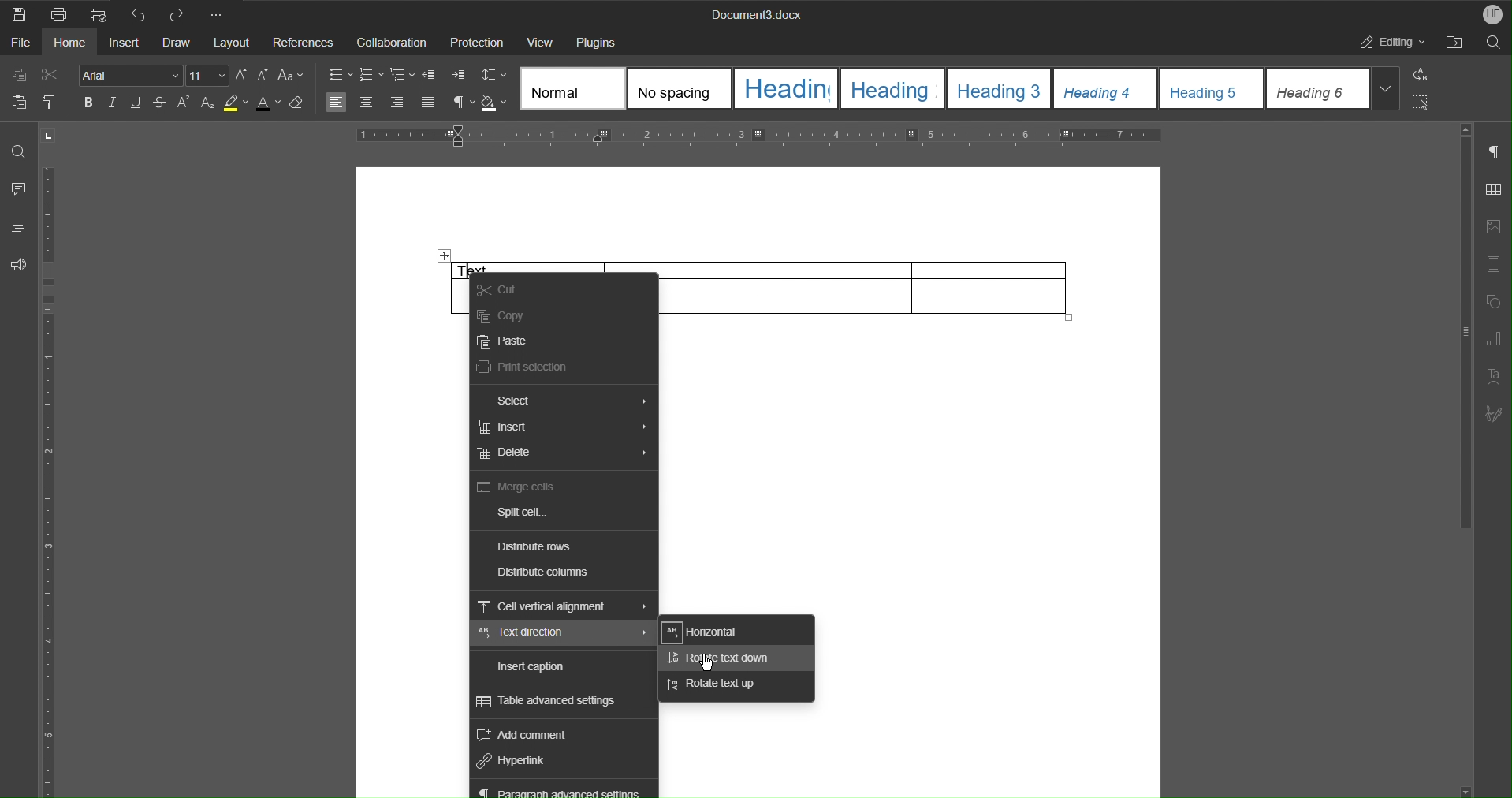 The height and width of the screenshot is (798, 1512). I want to click on Open File Location, so click(1454, 42).